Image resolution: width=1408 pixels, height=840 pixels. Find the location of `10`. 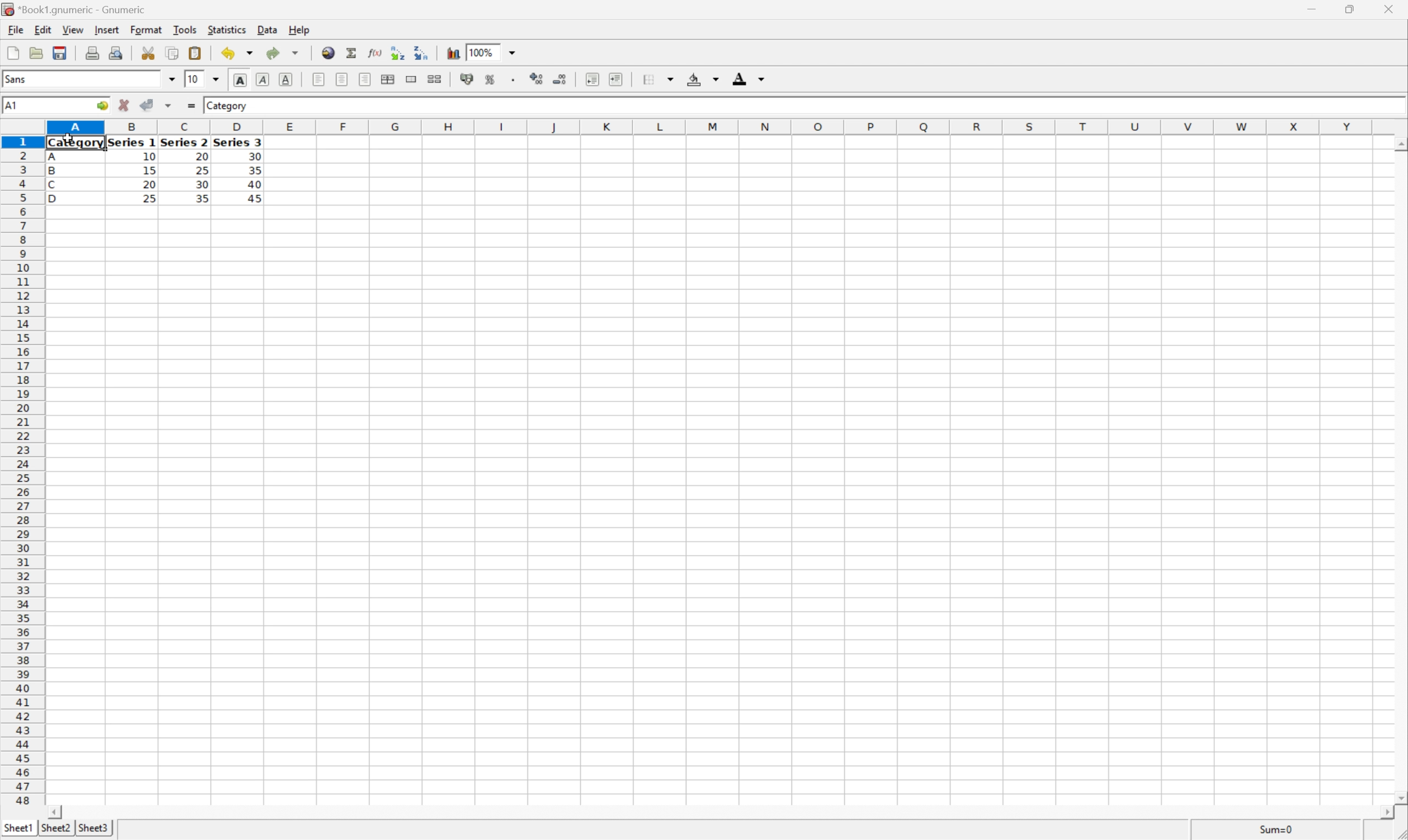

10 is located at coordinates (149, 157).